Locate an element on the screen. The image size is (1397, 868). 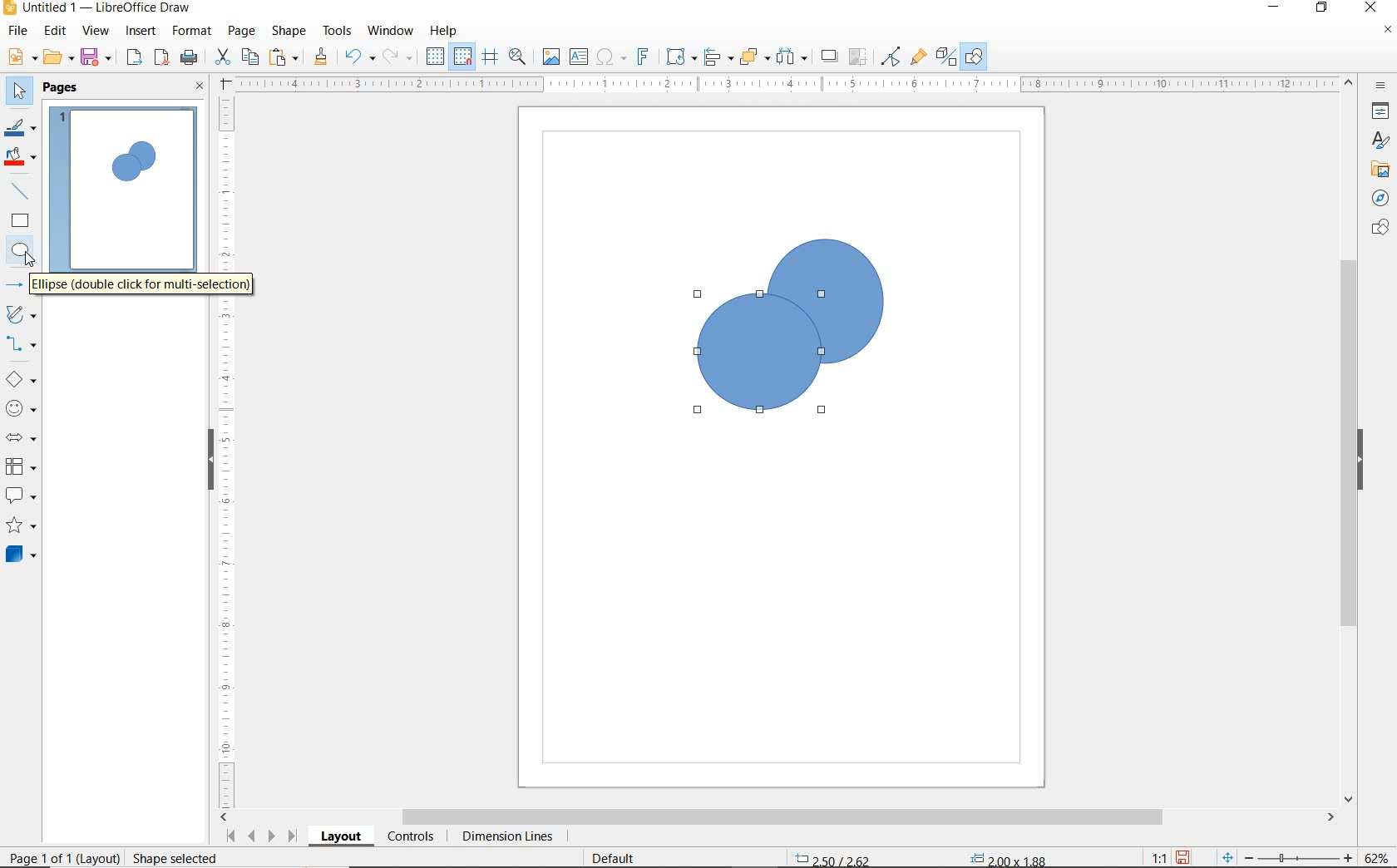
INSERT is located at coordinates (143, 32).